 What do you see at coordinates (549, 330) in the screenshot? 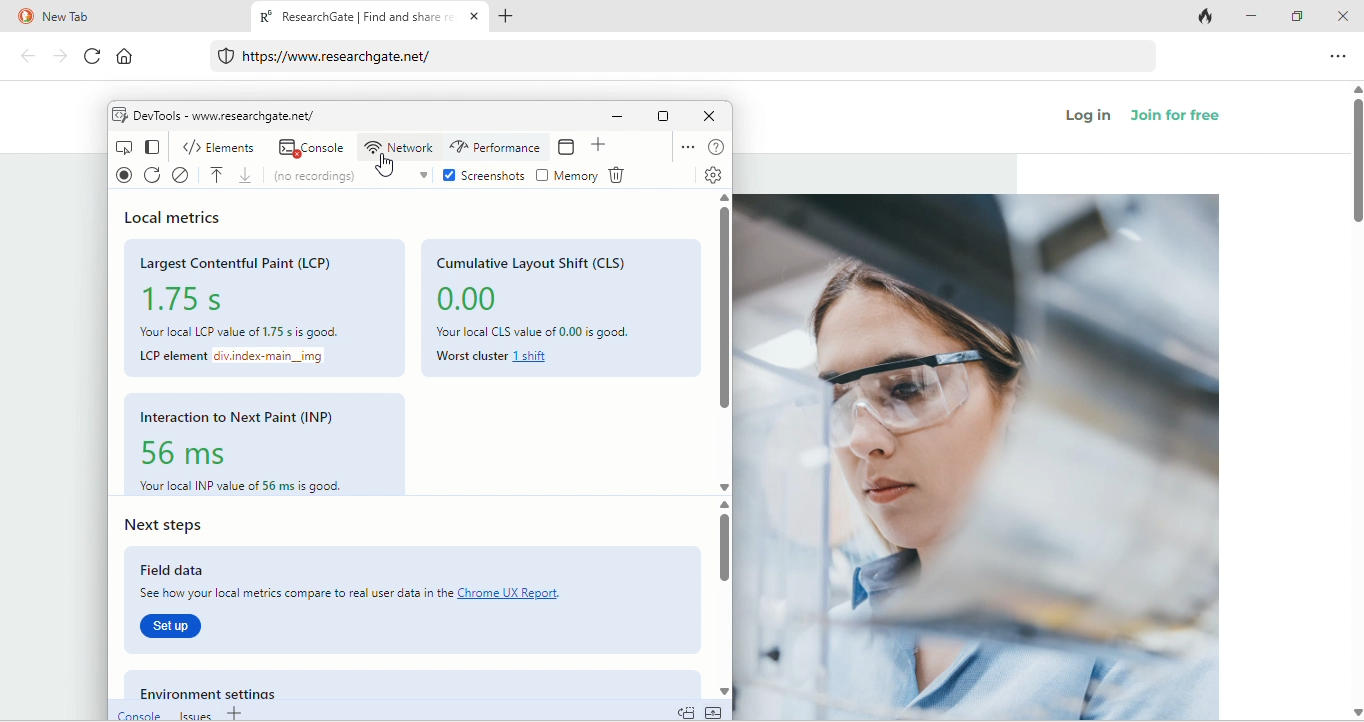
I see `your local cls of 0.00 is good` at bounding box center [549, 330].